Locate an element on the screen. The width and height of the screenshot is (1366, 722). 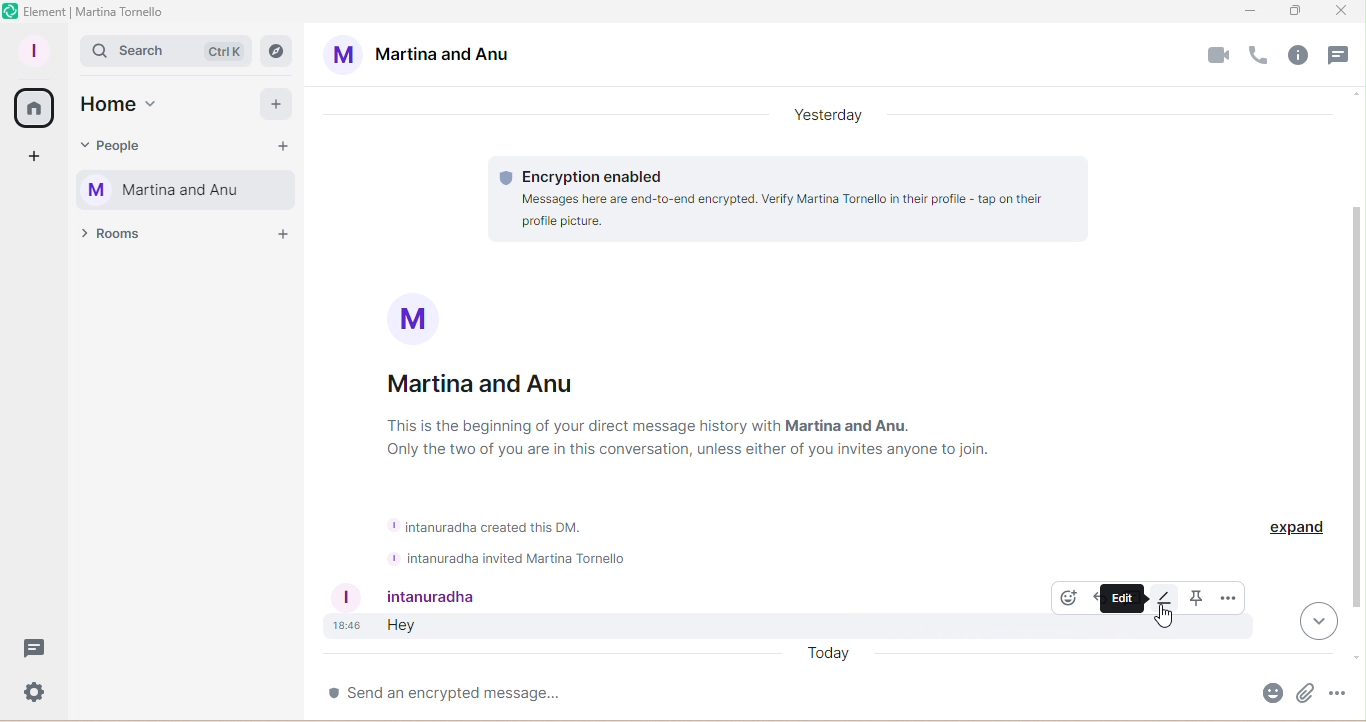
React is located at coordinates (1066, 596).